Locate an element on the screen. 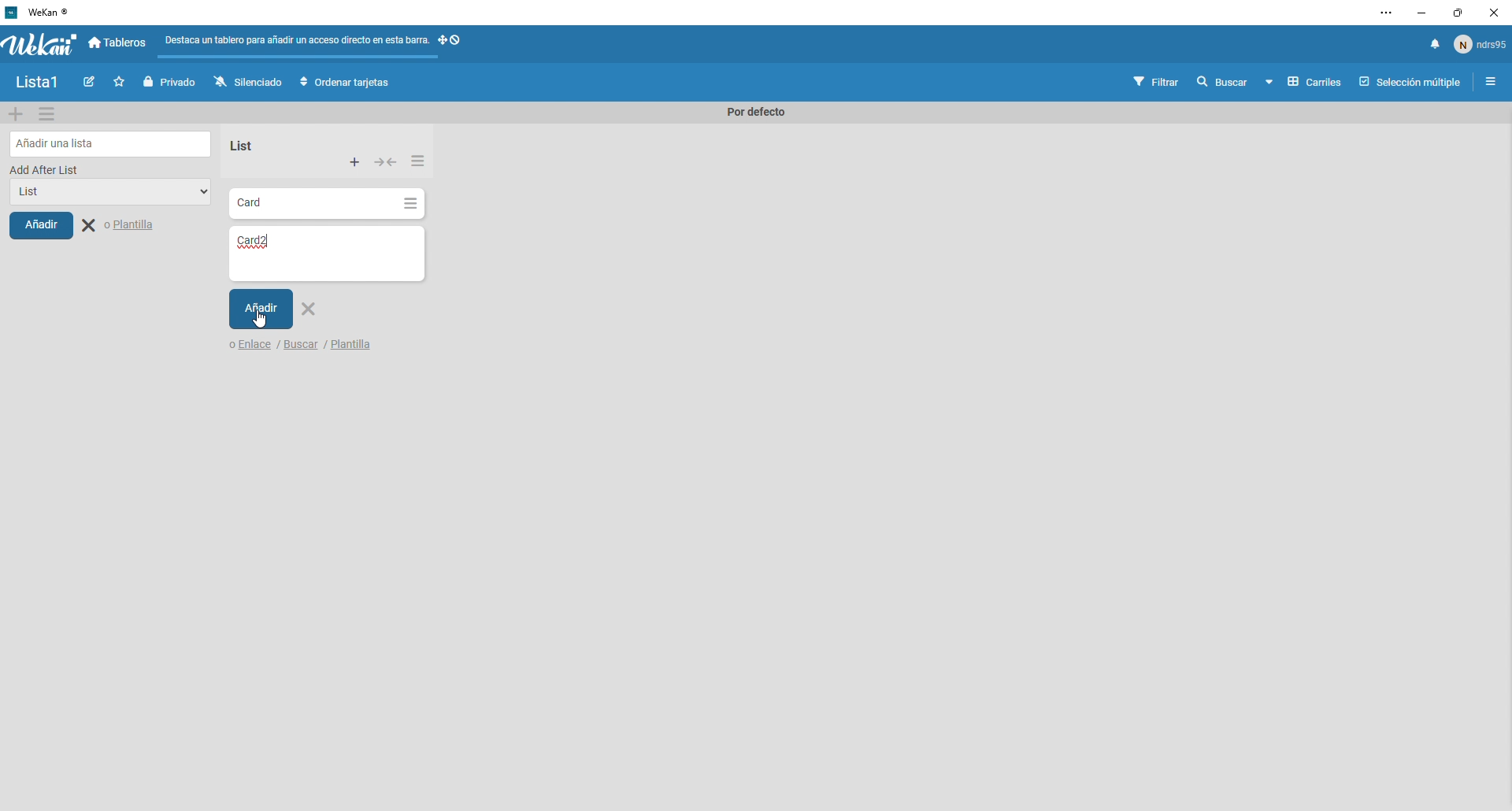 This screenshot has width=1512, height=811. Link is located at coordinates (247, 346).